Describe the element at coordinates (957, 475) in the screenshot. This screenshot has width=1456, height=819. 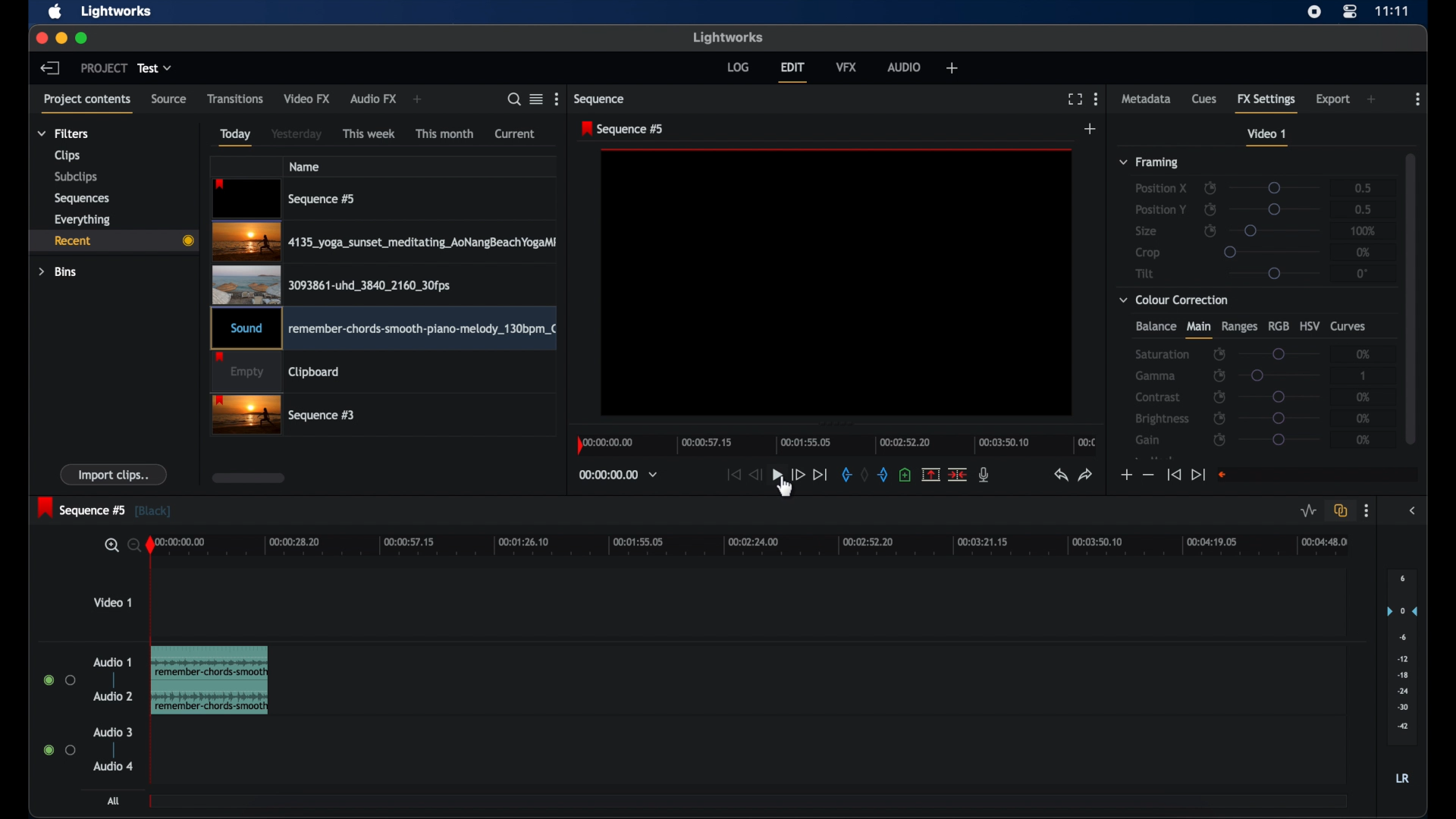
I see `split` at that location.